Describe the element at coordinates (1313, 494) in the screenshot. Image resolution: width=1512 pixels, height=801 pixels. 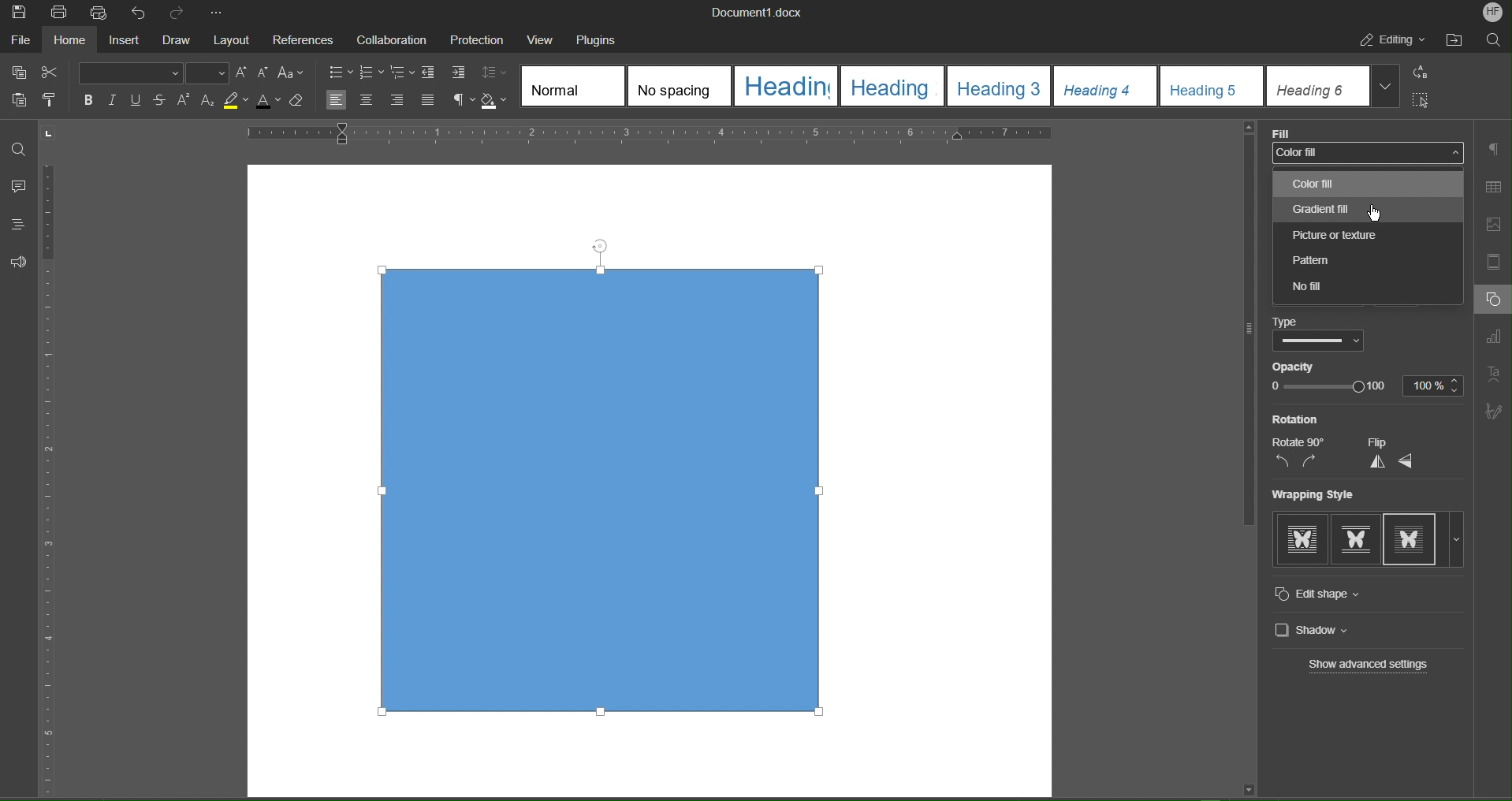
I see `Wrapping Style` at that location.